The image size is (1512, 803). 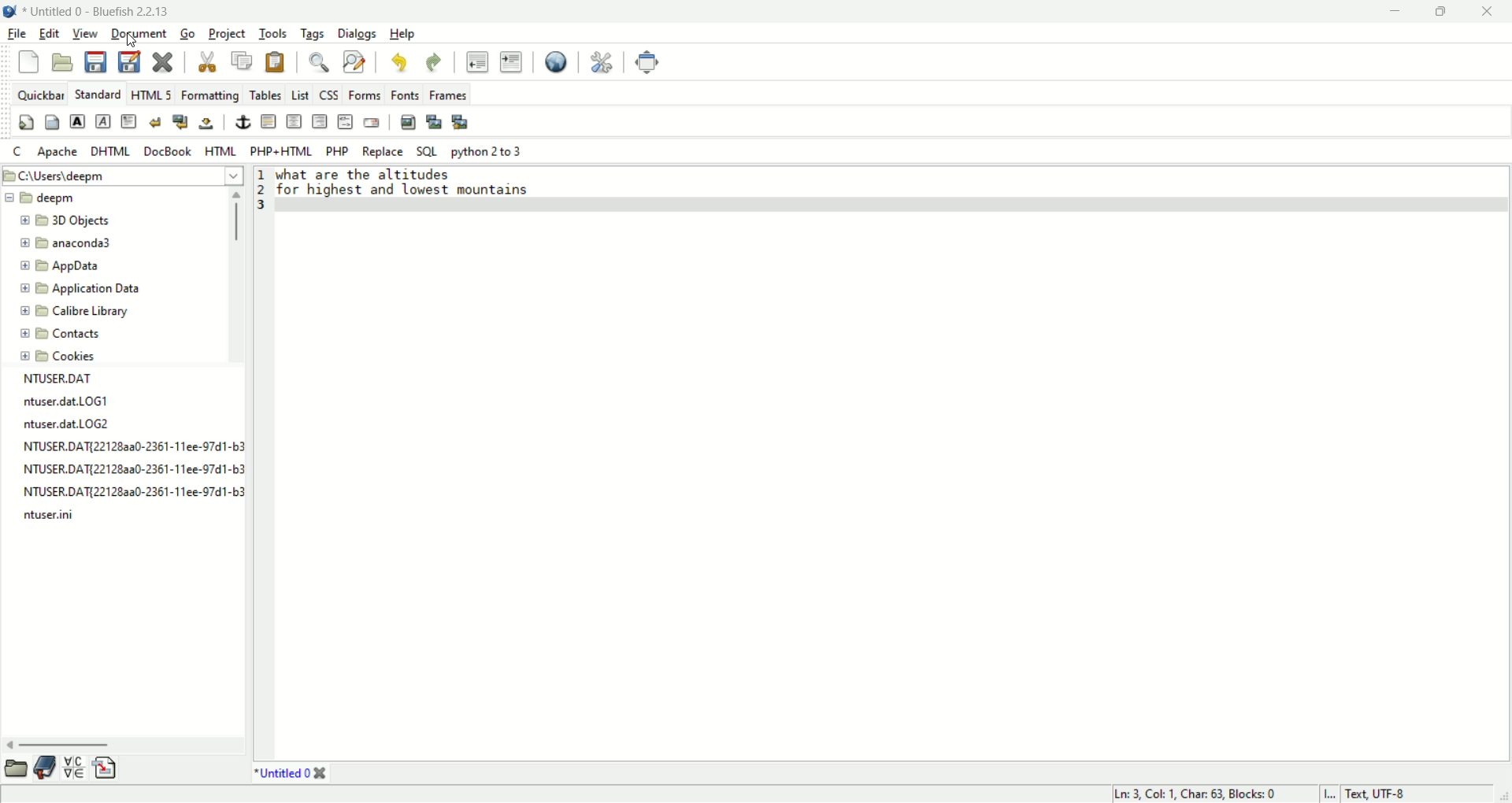 I want to click on python 2 to 3, so click(x=487, y=152).